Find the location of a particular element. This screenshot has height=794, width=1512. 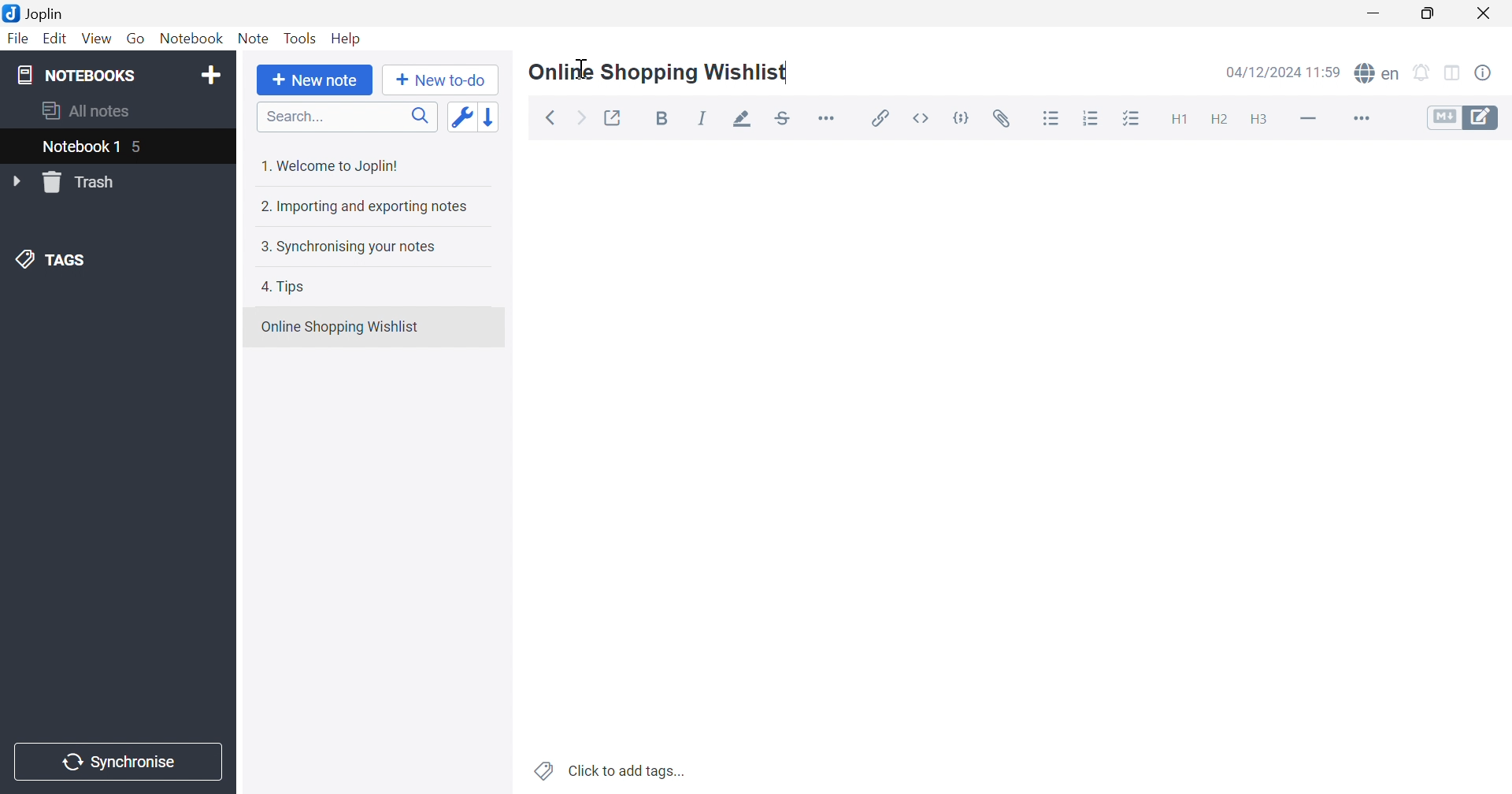

Horizontal Line is located at coordinates (1307, 120).